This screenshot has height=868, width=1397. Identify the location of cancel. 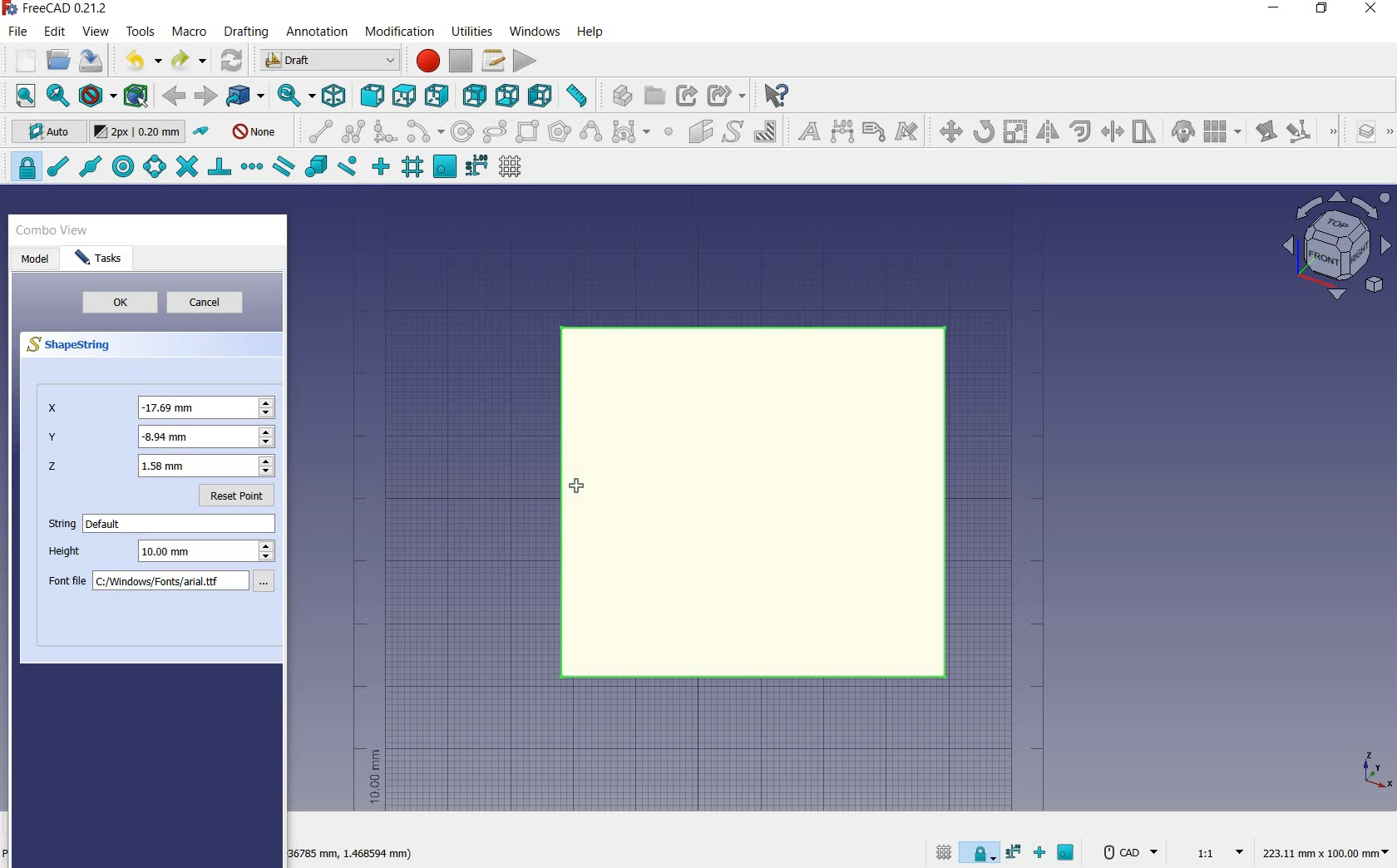
(212, 304).